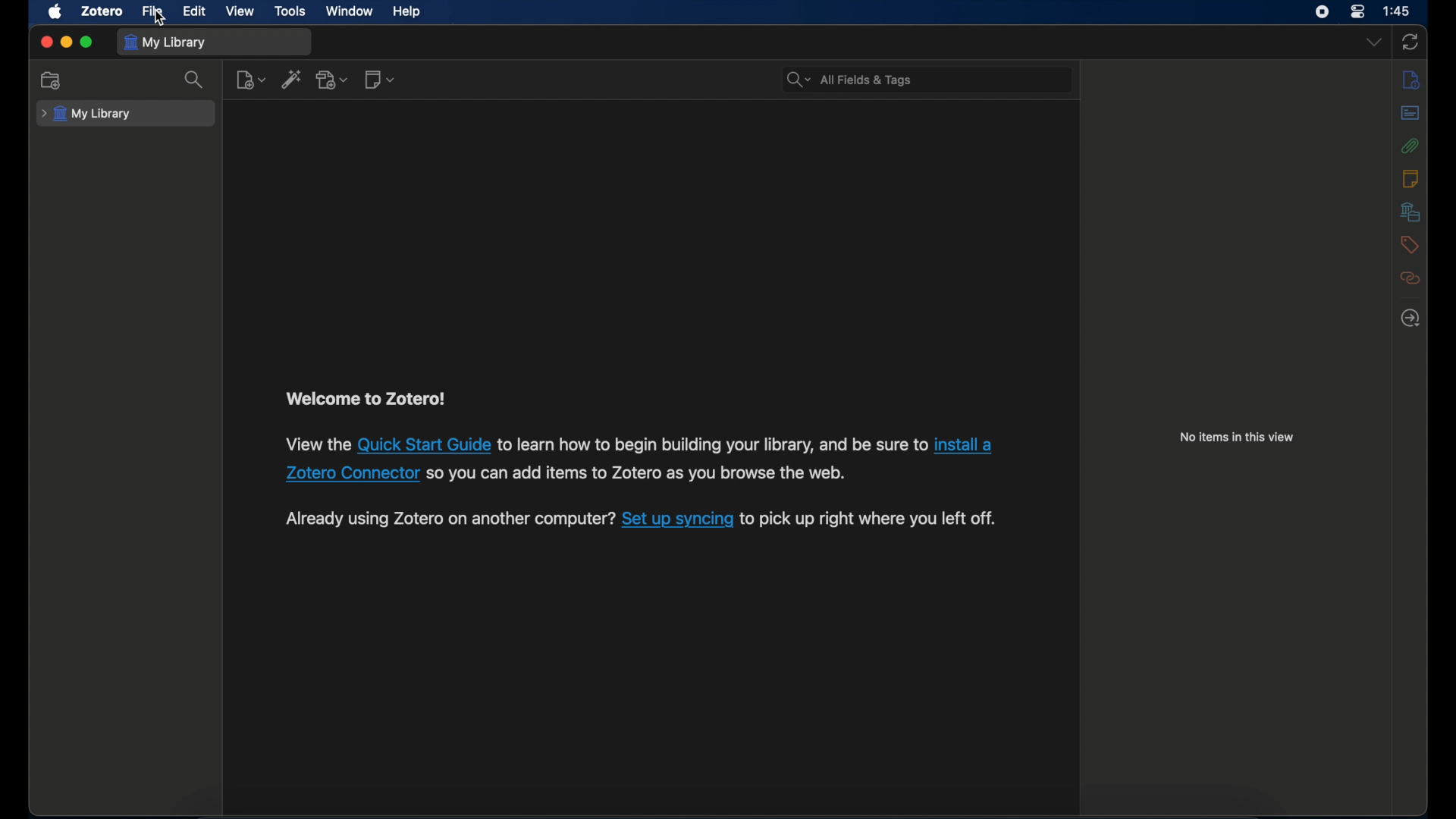 The image size is (1456, 819). What do you see at coordinates (290, 12) in the screenshot?
I see `tools` at bounding box center [290, 12].